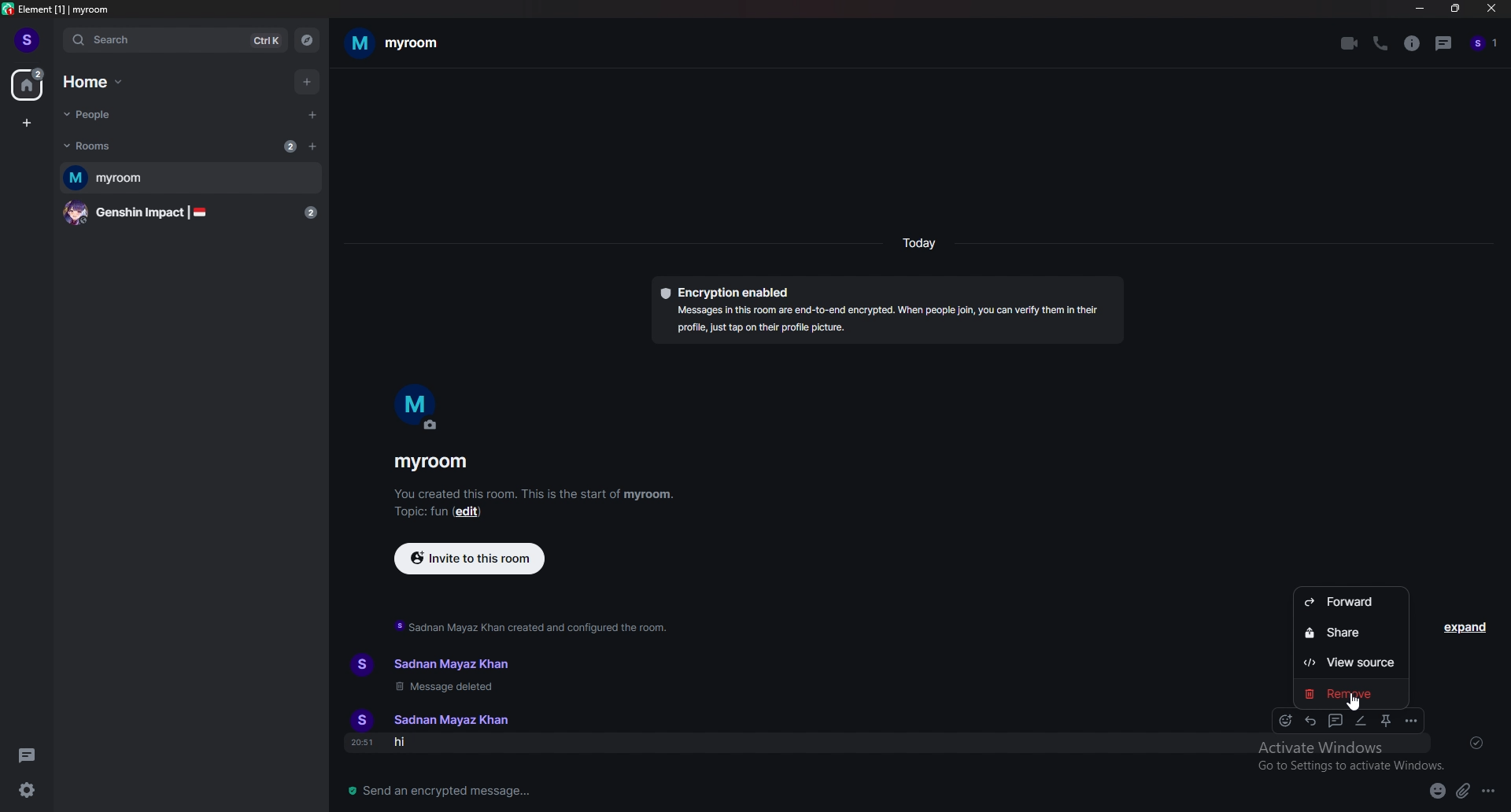 The height and width of the screenshot is (812, 1511). I want to click on myroom, so click(190, 179).